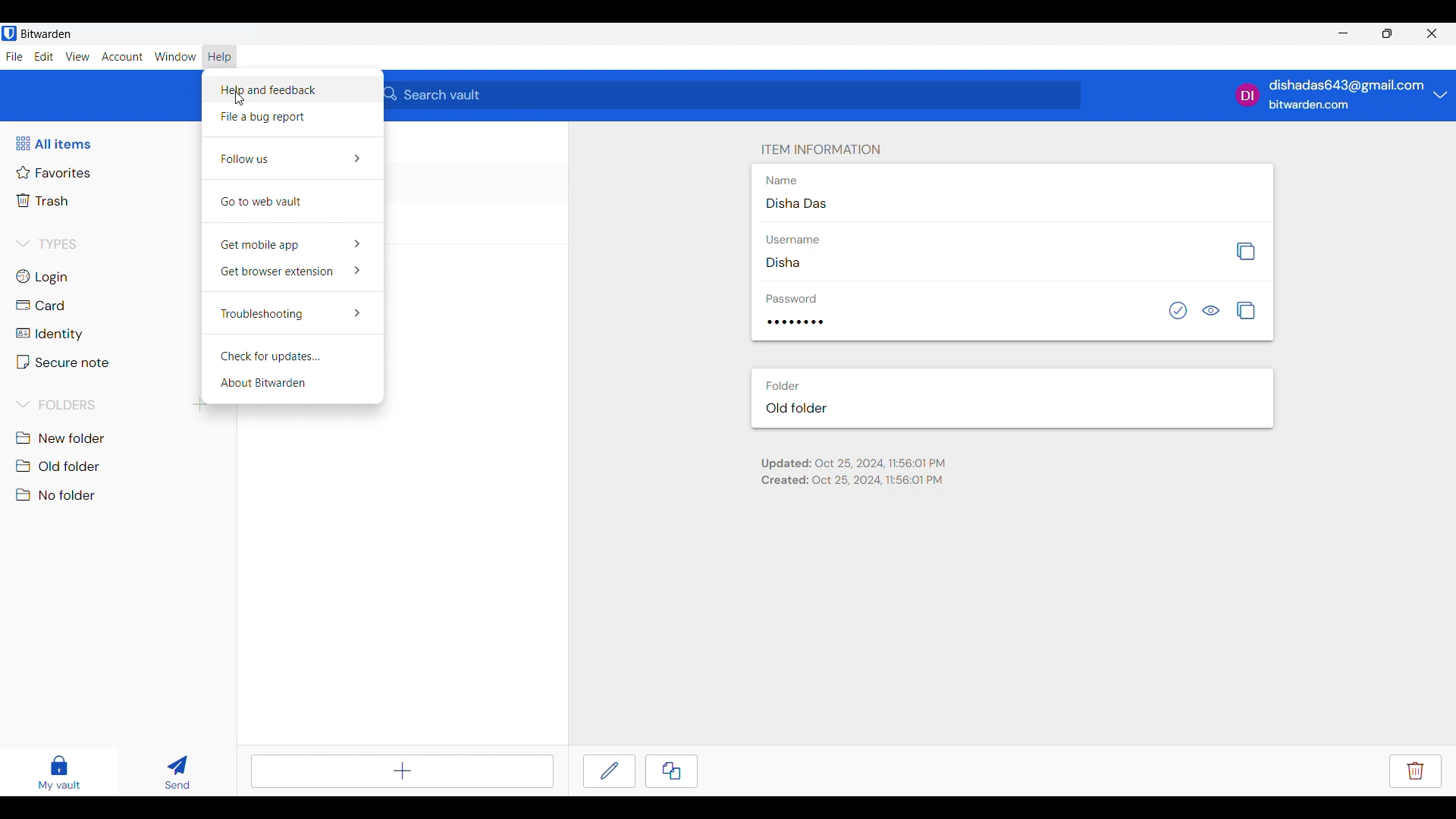  I want to click on Account menu, so click(122, 56).